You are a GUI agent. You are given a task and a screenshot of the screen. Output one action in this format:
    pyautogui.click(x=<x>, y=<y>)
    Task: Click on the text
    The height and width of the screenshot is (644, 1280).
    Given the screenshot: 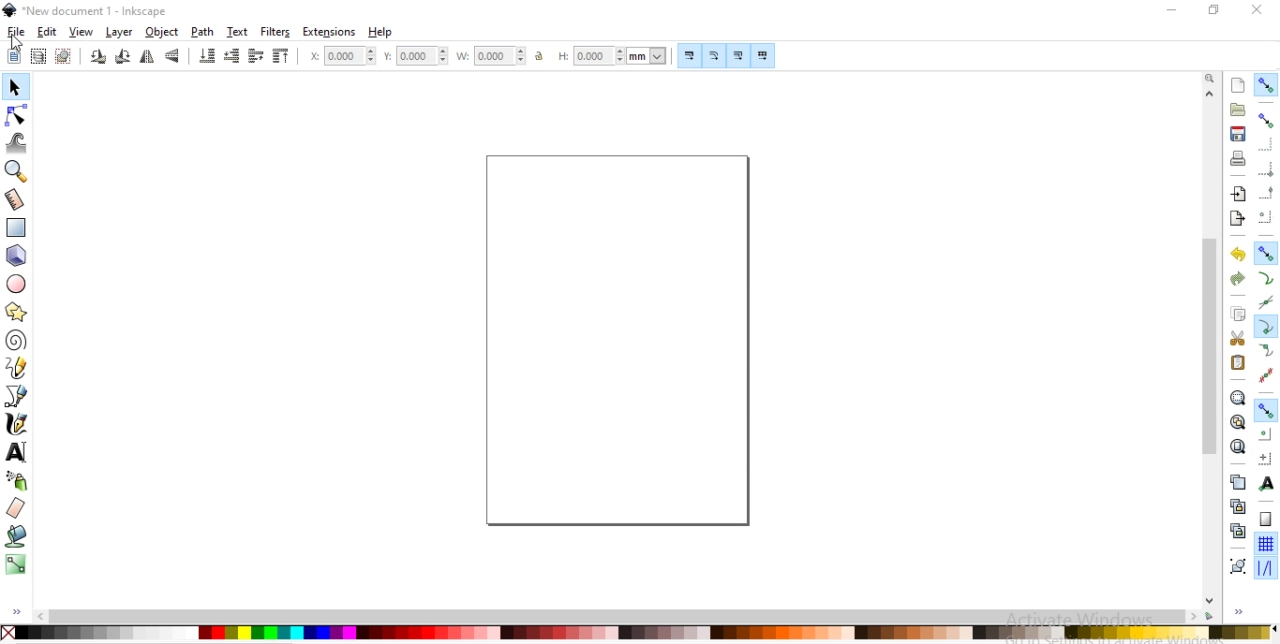 What is the action you would take?
    pyautogui.click(x=239, y=32)
    